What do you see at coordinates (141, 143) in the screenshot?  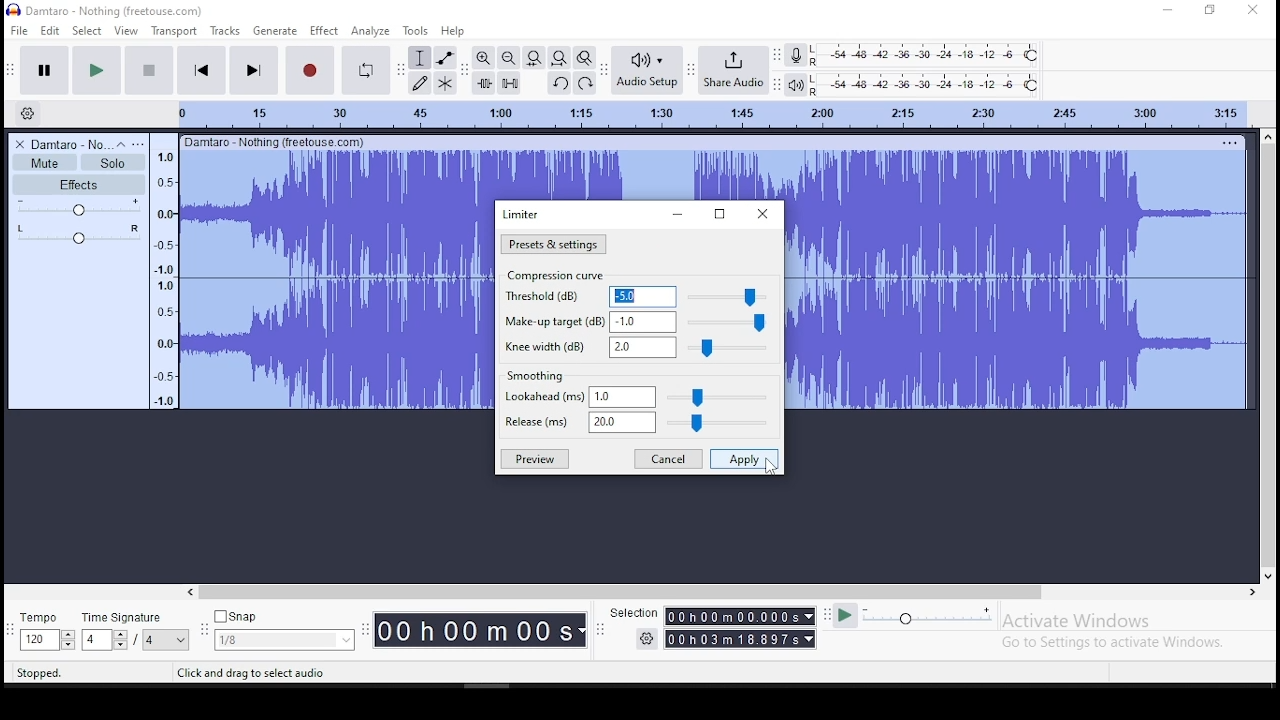 I see `open menu` at bounding box center [141, 143].